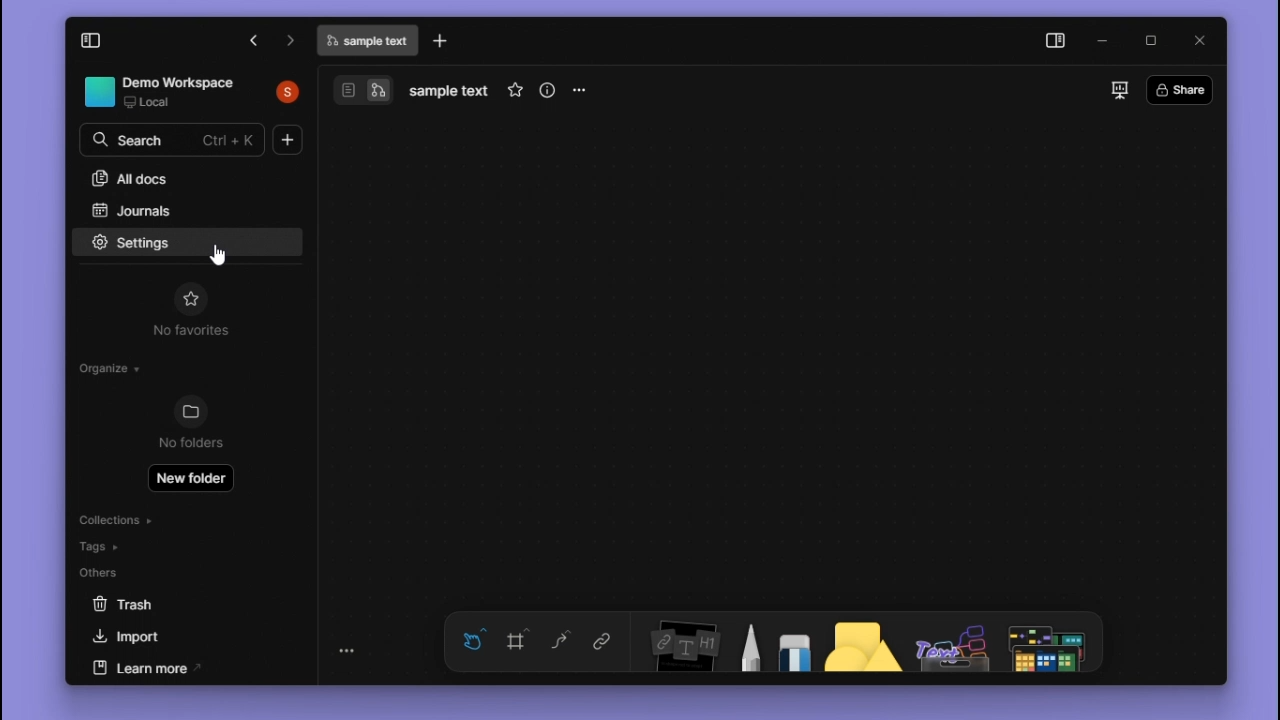 The height and width of the screenshot is (720, 1280). What do you see at coordinates (102, 365) in the screenshot?
I see `organize` at bounding box center [102, 365].